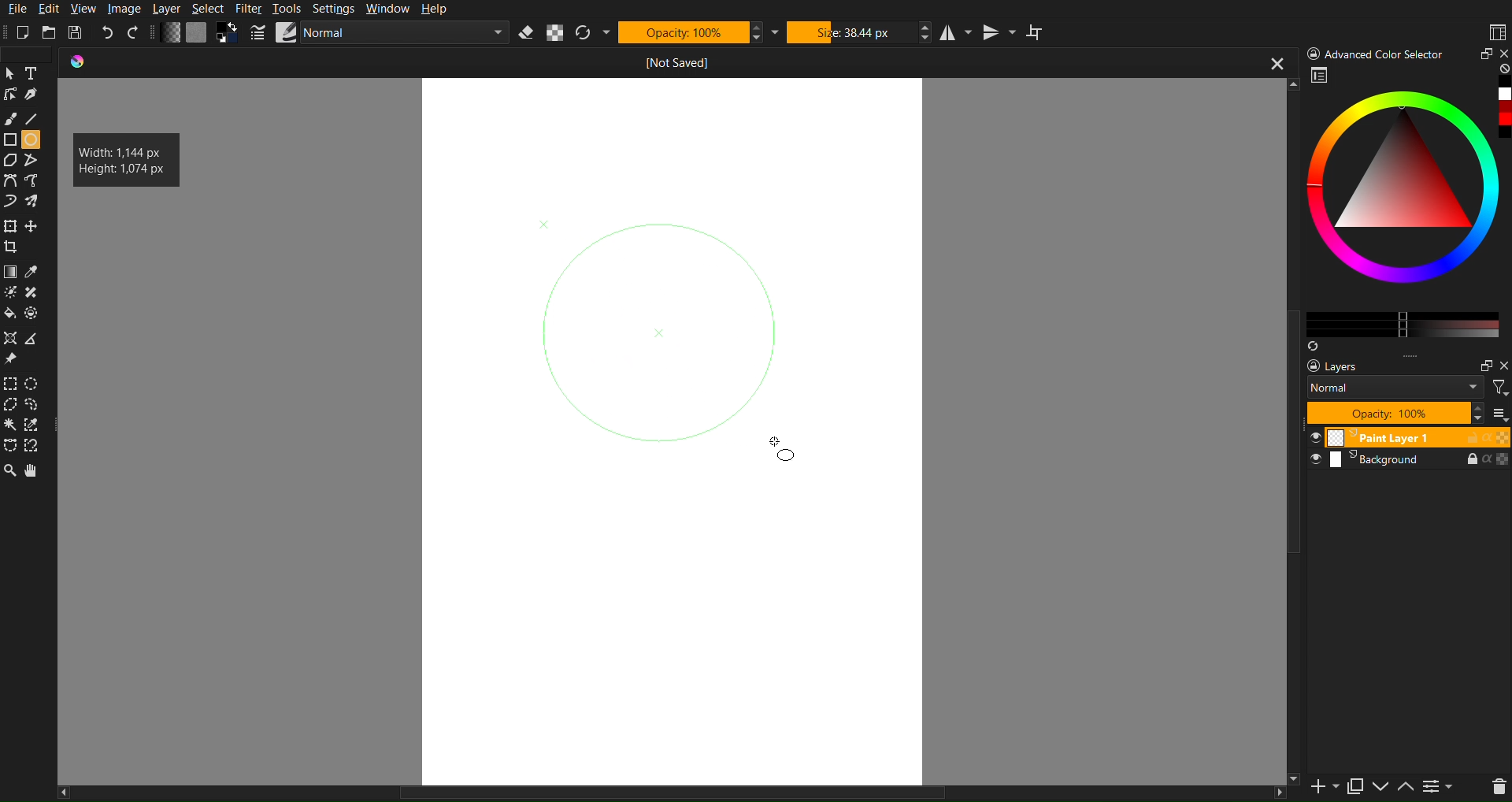 The image size is (1512, 802). Describe the element at coordinates (1501, 386) in the screenshot. I see `filter` at that location.